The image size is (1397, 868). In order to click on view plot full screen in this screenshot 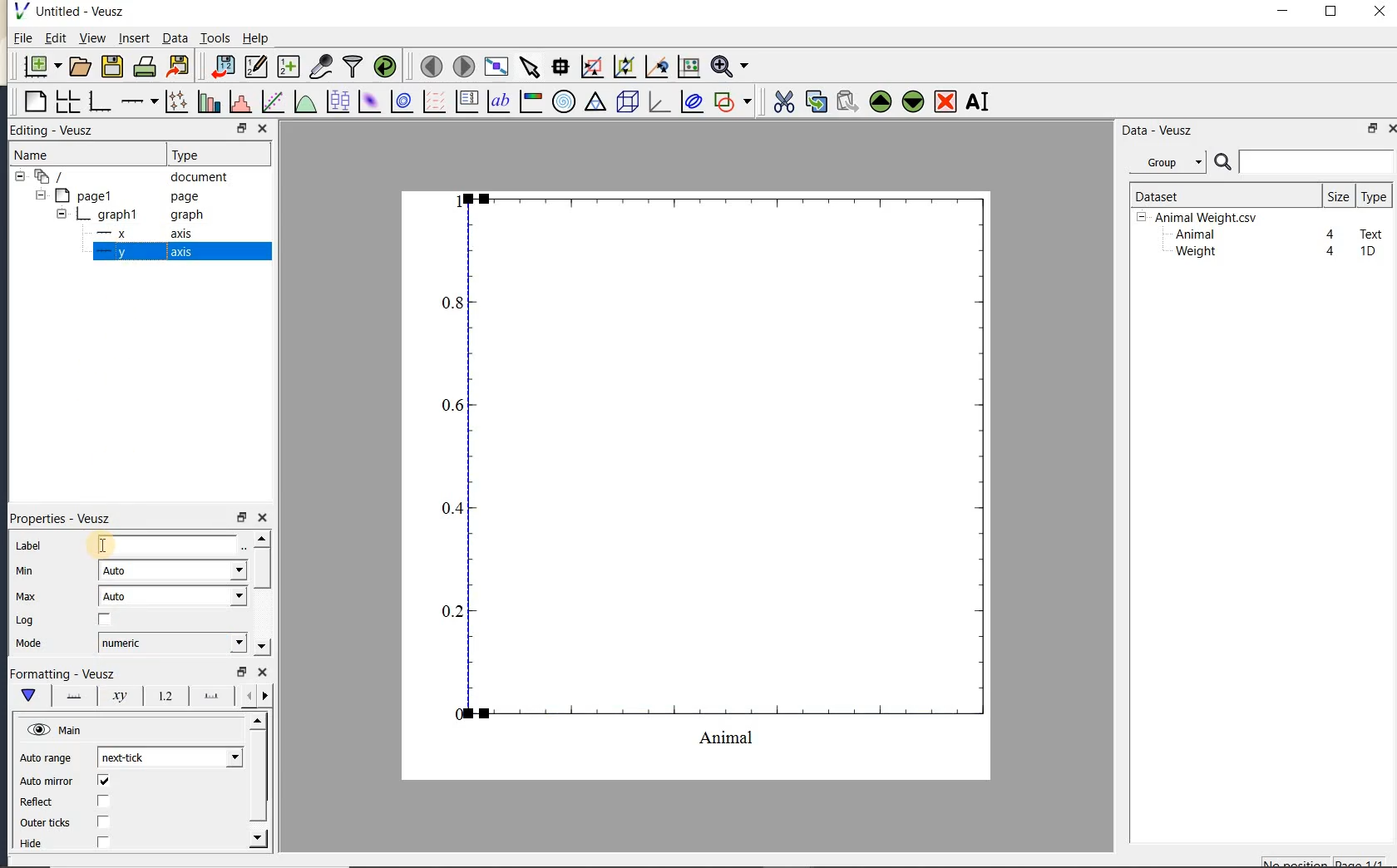, I will do `click(496, 67)`.